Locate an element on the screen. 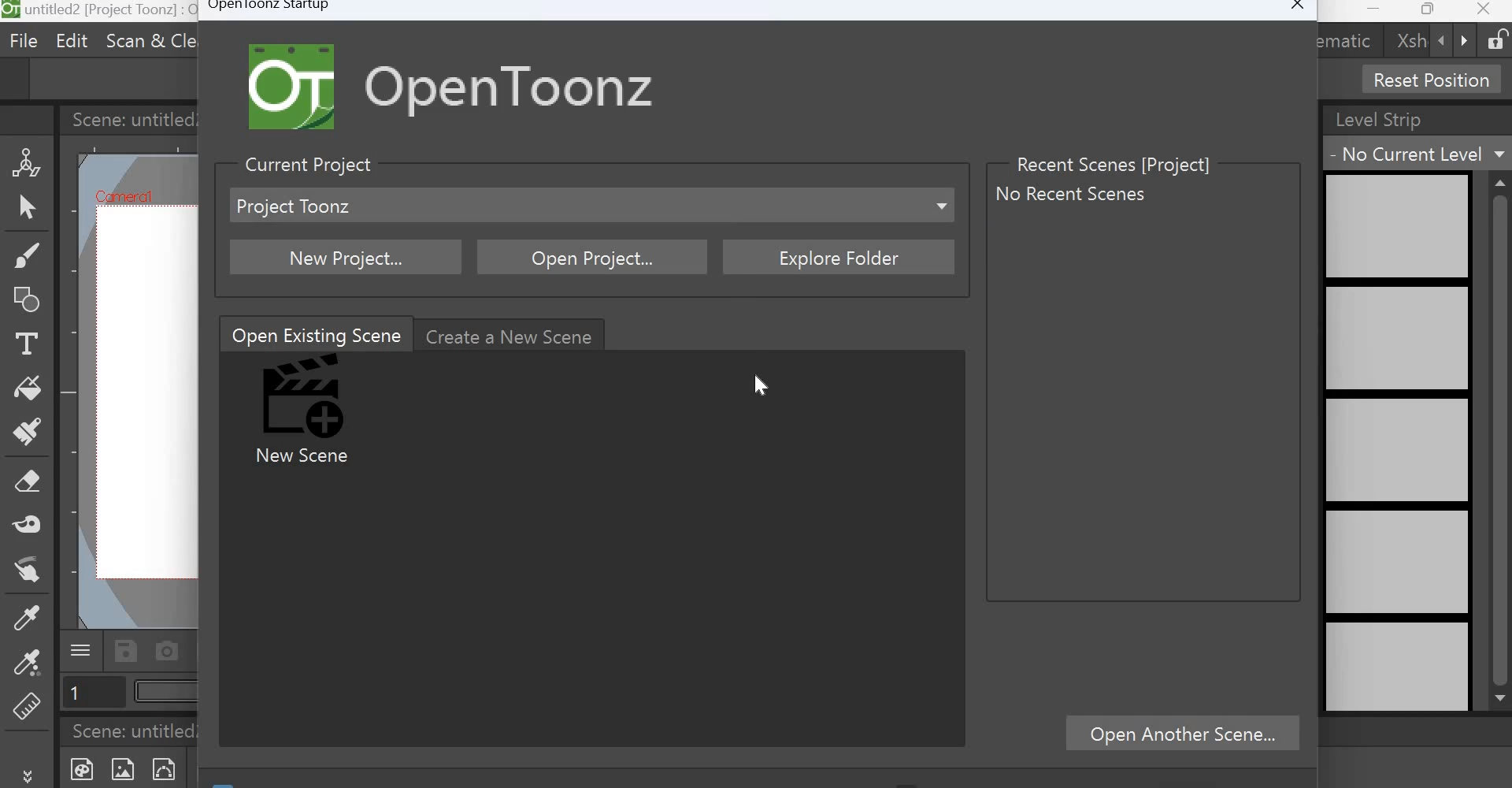  Tape tool is located at coordinates (31, 523).